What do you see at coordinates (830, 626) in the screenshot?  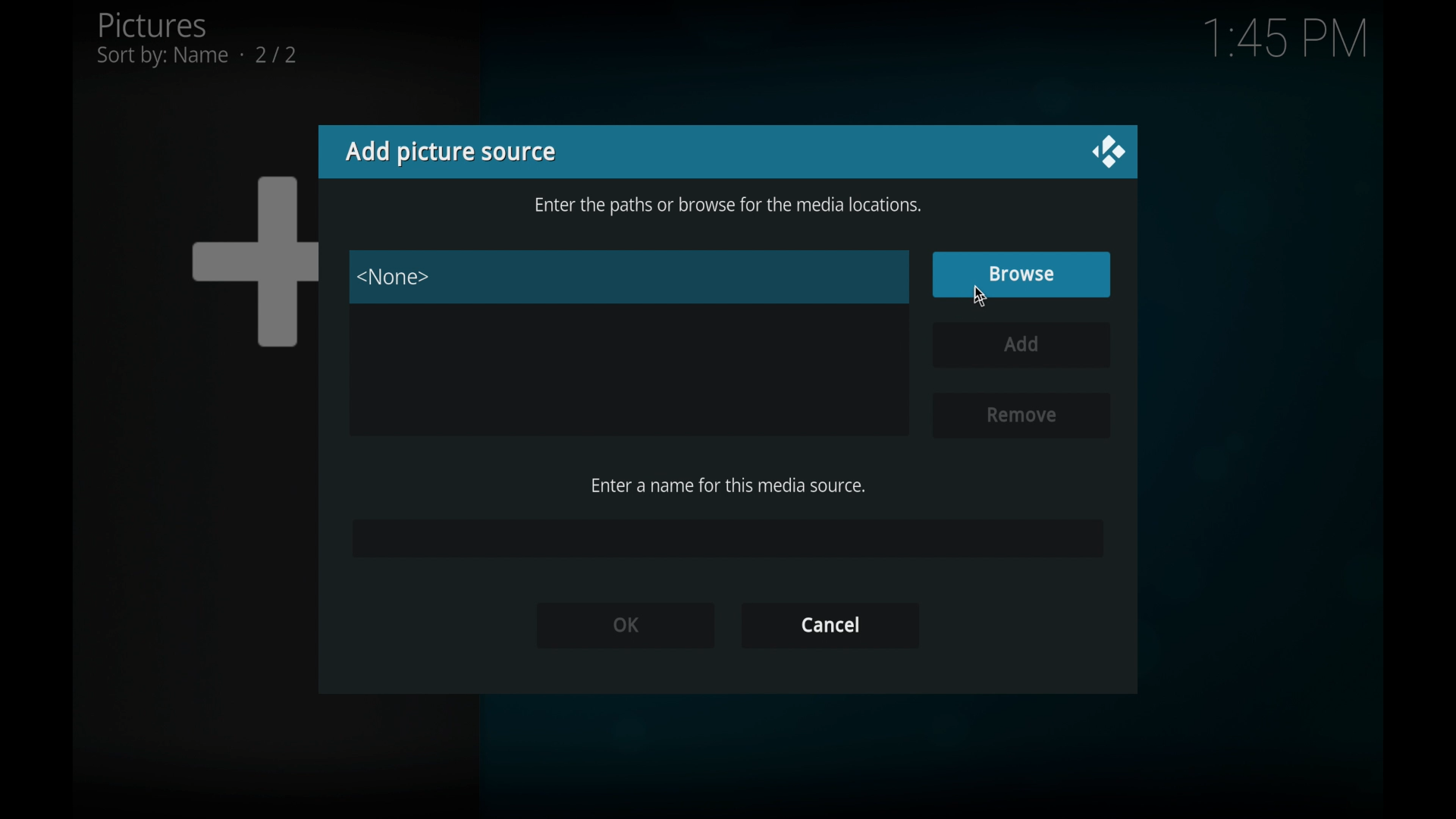 I see `cancel` at bounding box center [830, 626].